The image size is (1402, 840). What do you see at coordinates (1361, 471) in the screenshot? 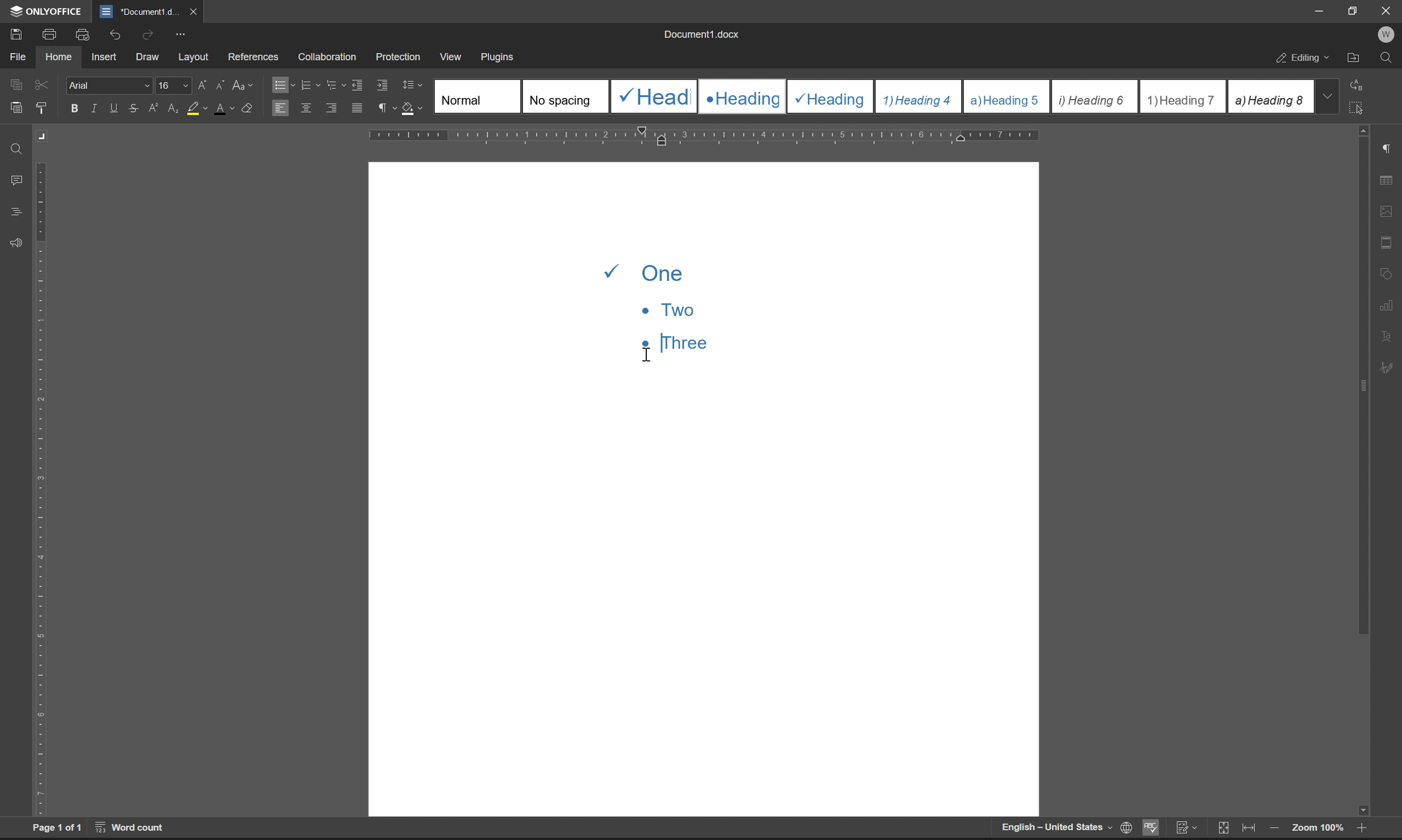
I see `scroll bar` at bounding box center [1361, 471].